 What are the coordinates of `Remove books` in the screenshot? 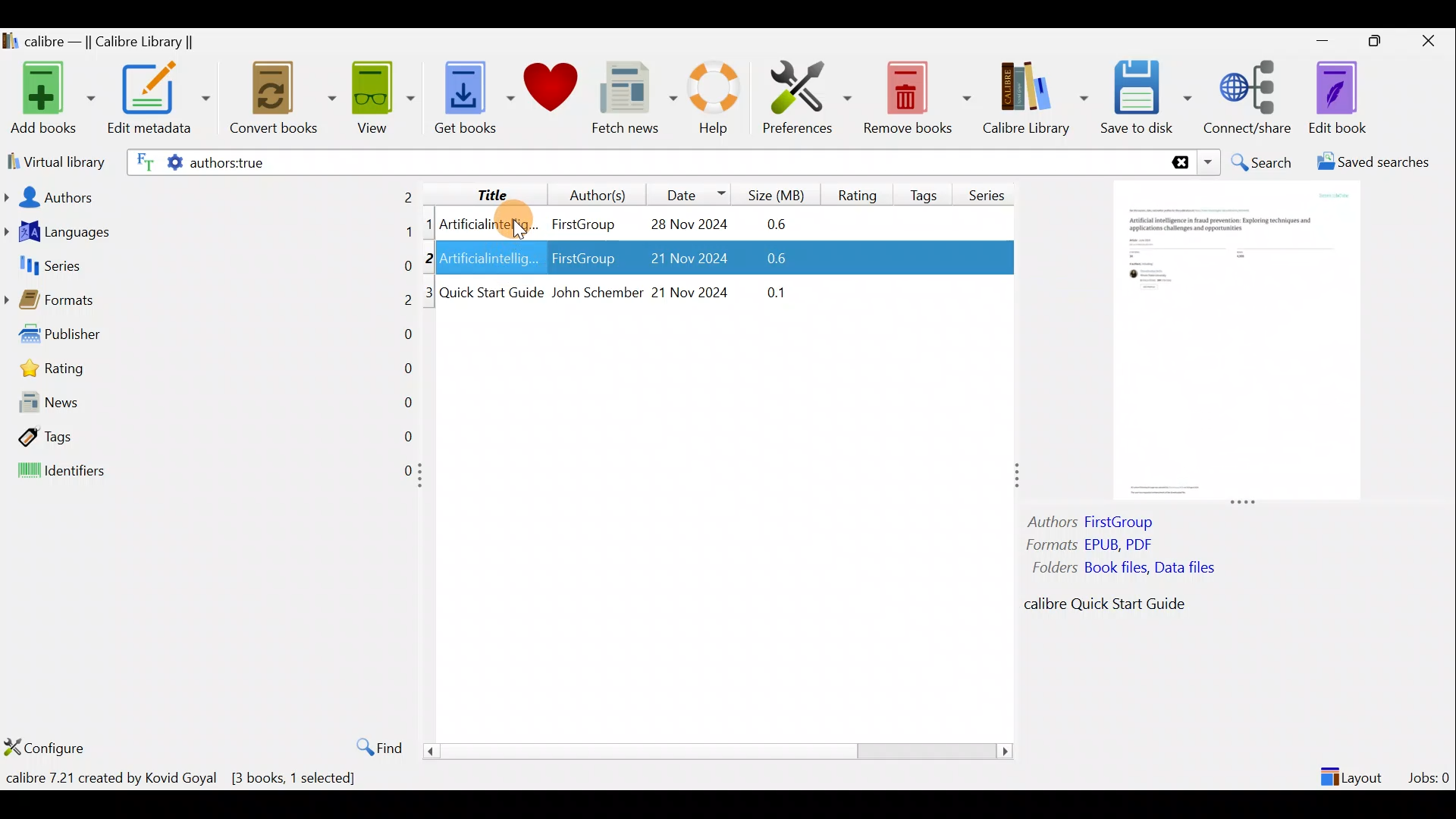 It's located at (918, 97).